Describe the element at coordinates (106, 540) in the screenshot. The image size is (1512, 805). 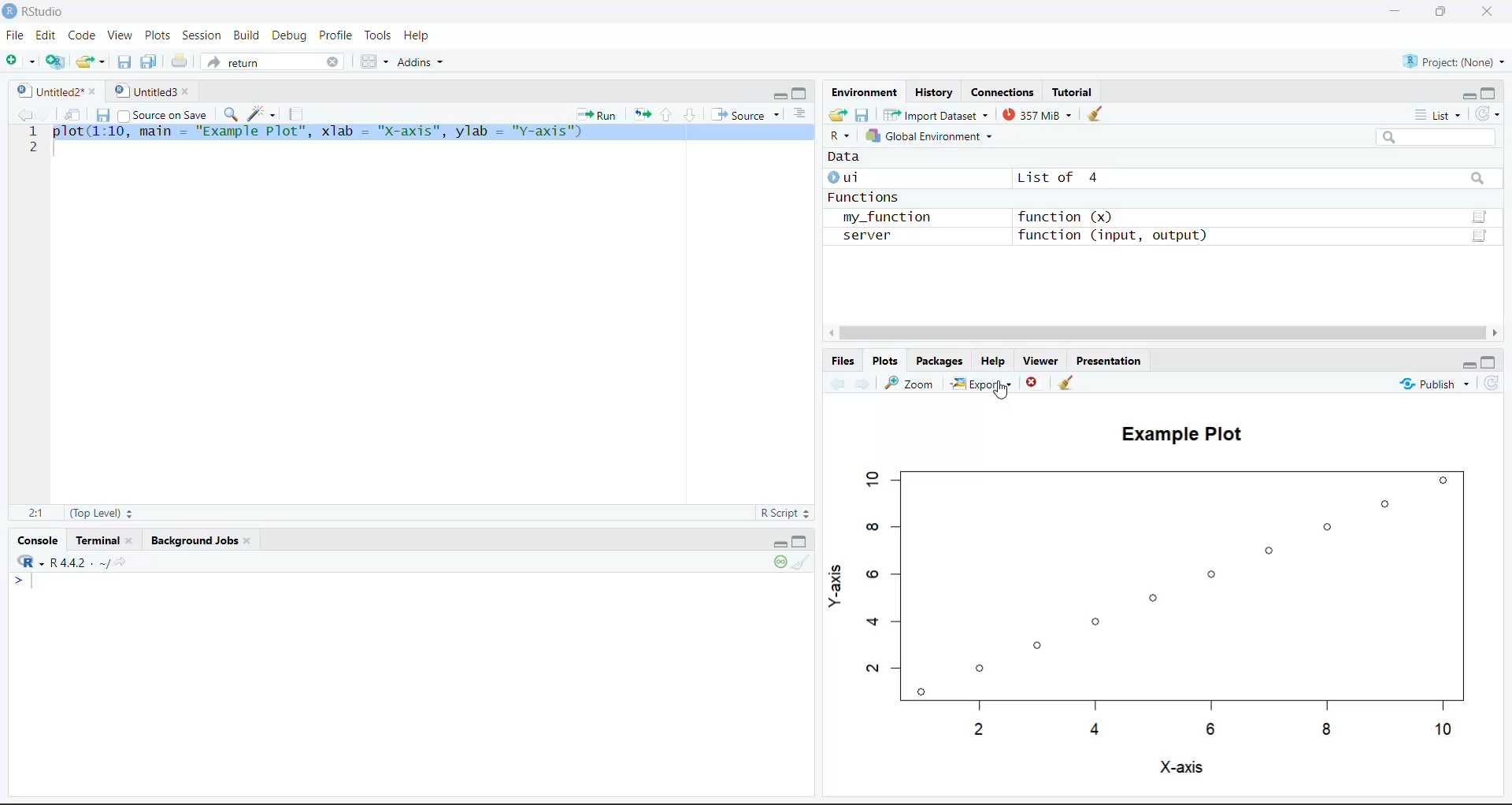
I see `Terminal` at that location.